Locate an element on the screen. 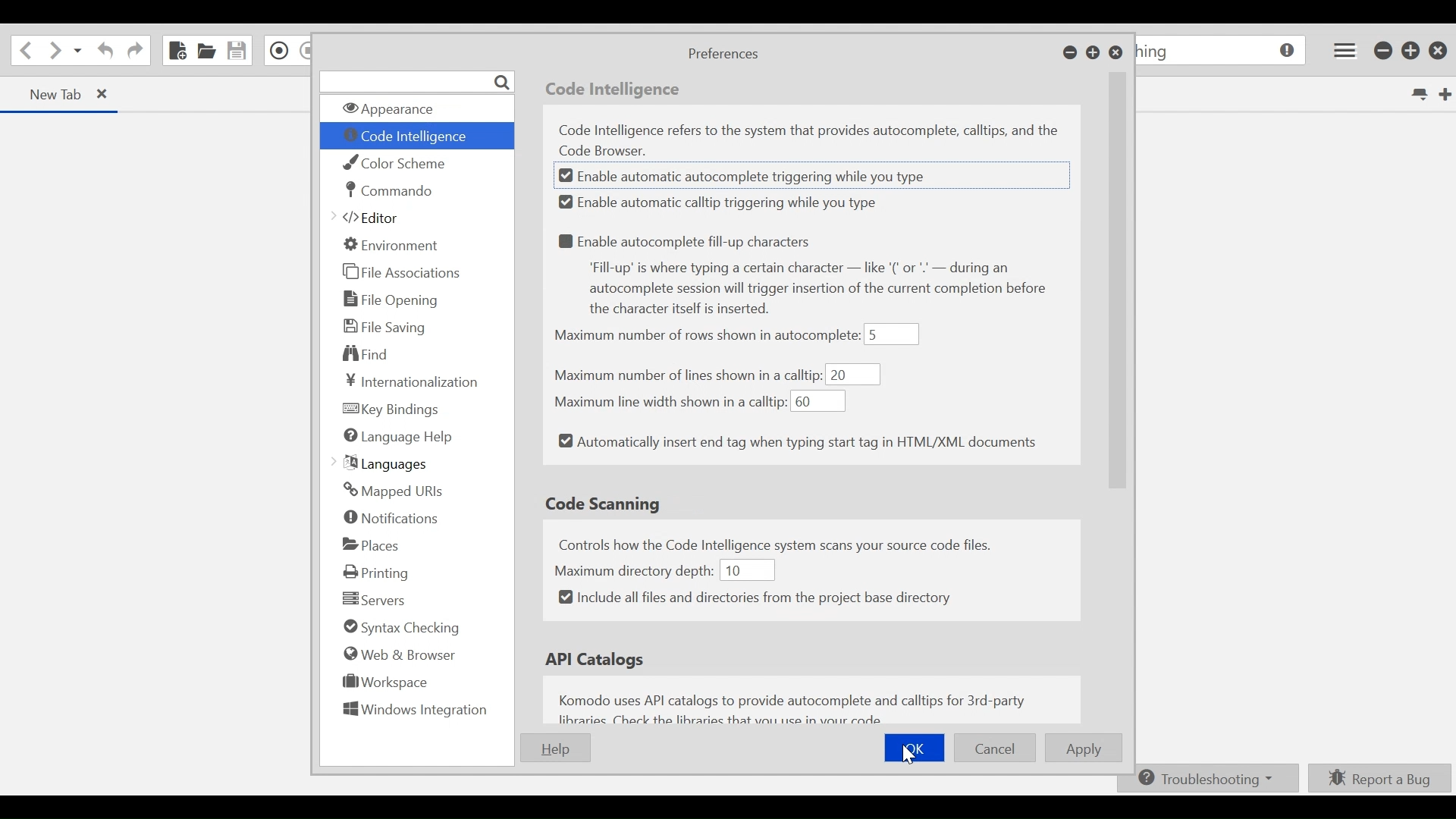  'Fill-up' is where typing a certain character — like '(' or '.' — during an autocomplete session will trigger insertion of the current completion before the character itself is inserted. is located at coordinates (826, 290).